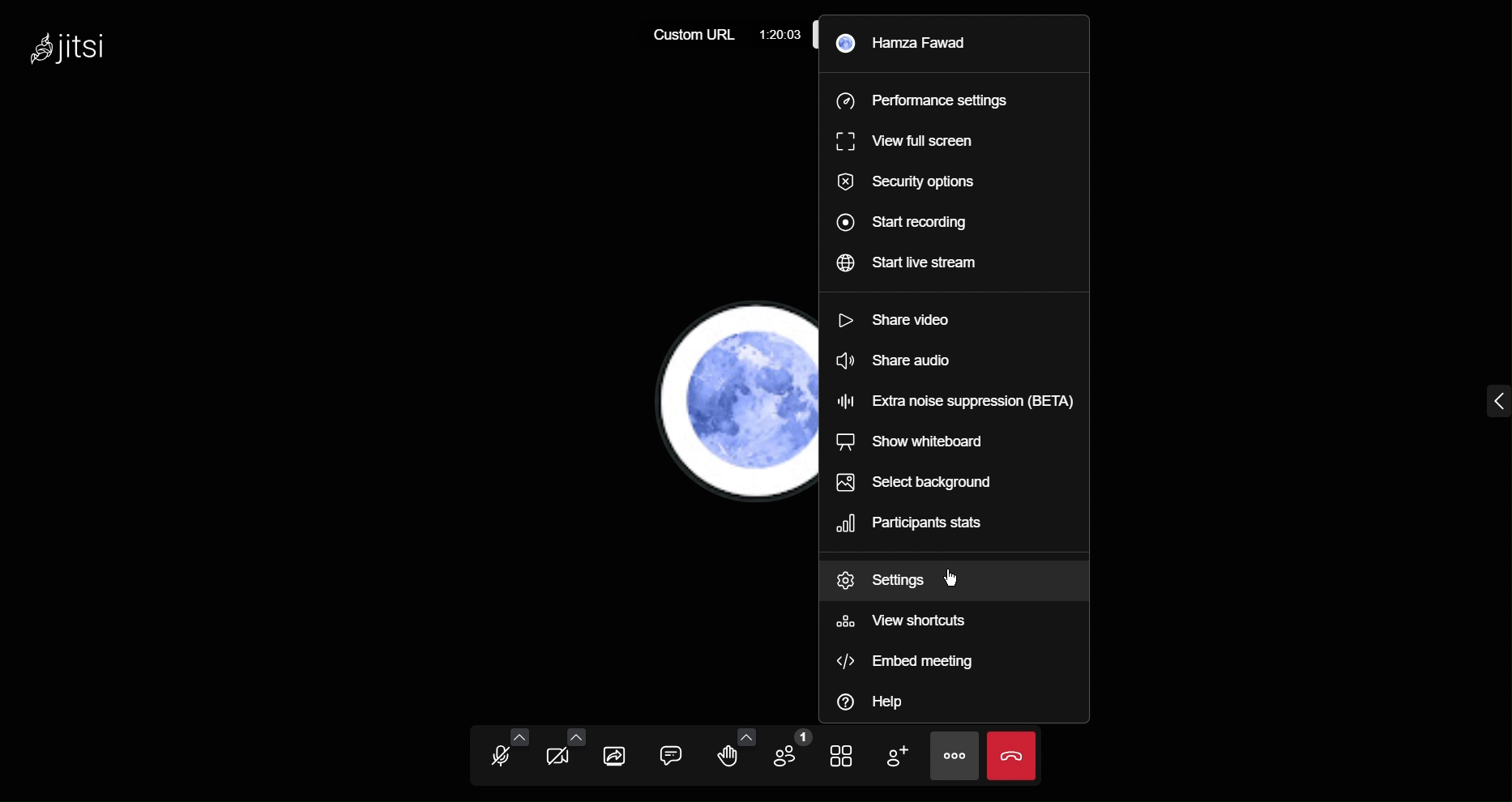  Describe the element at coordinates (1487, 405) in the screenshot. I see `menu` at that location.